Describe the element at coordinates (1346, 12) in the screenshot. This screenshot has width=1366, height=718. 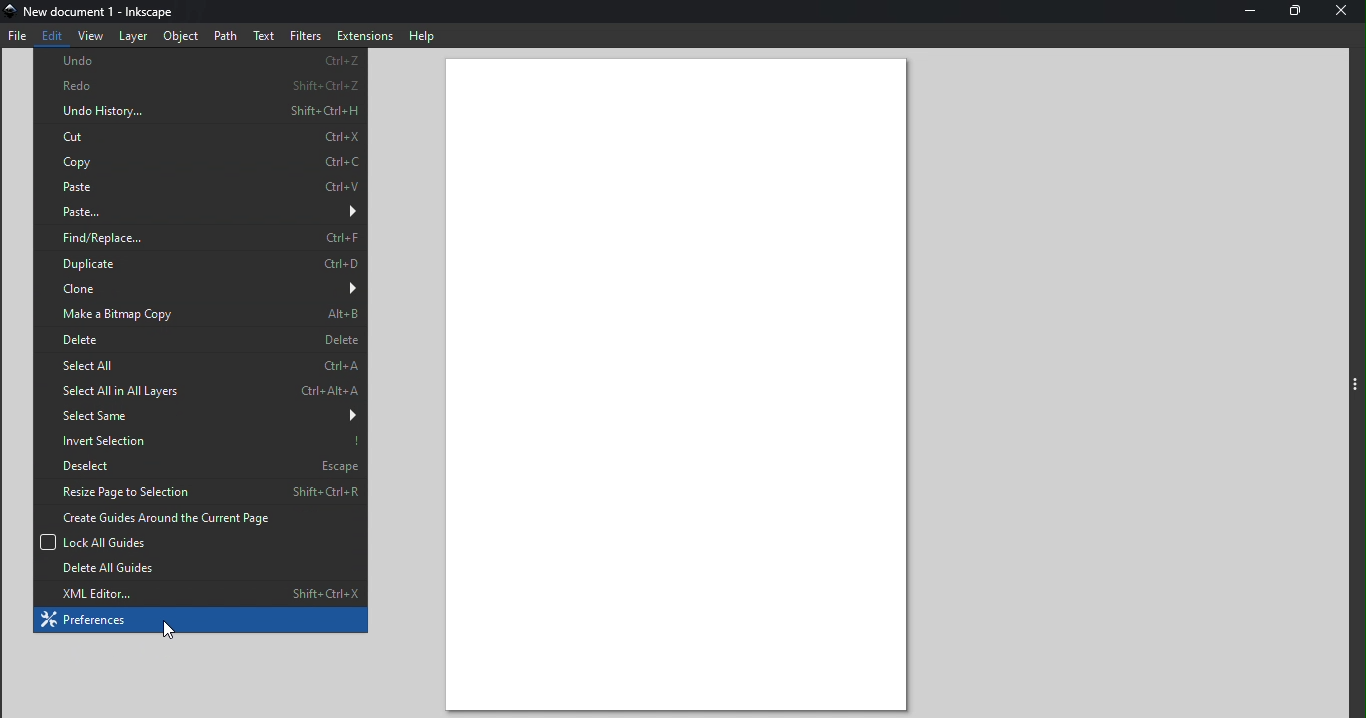
I see `Close` at that location.